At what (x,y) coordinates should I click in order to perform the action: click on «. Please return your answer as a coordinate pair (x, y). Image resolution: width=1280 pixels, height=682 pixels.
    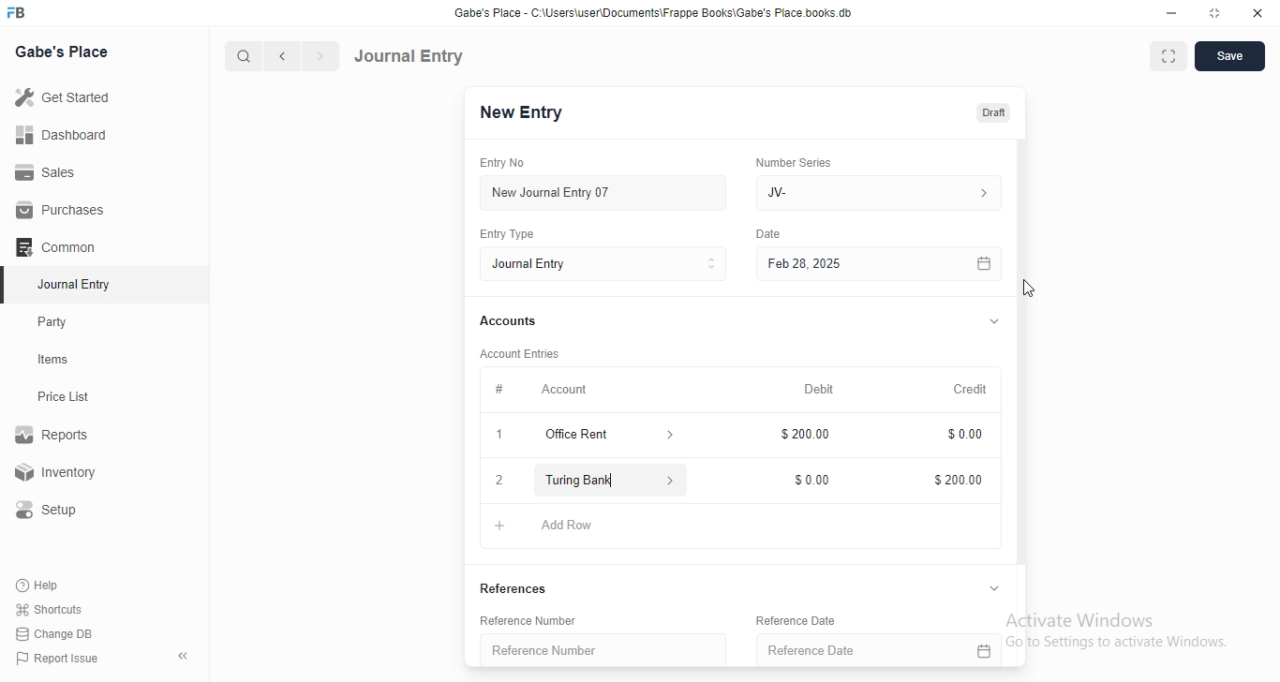
    Looking at the image, I should click on (185, 657).